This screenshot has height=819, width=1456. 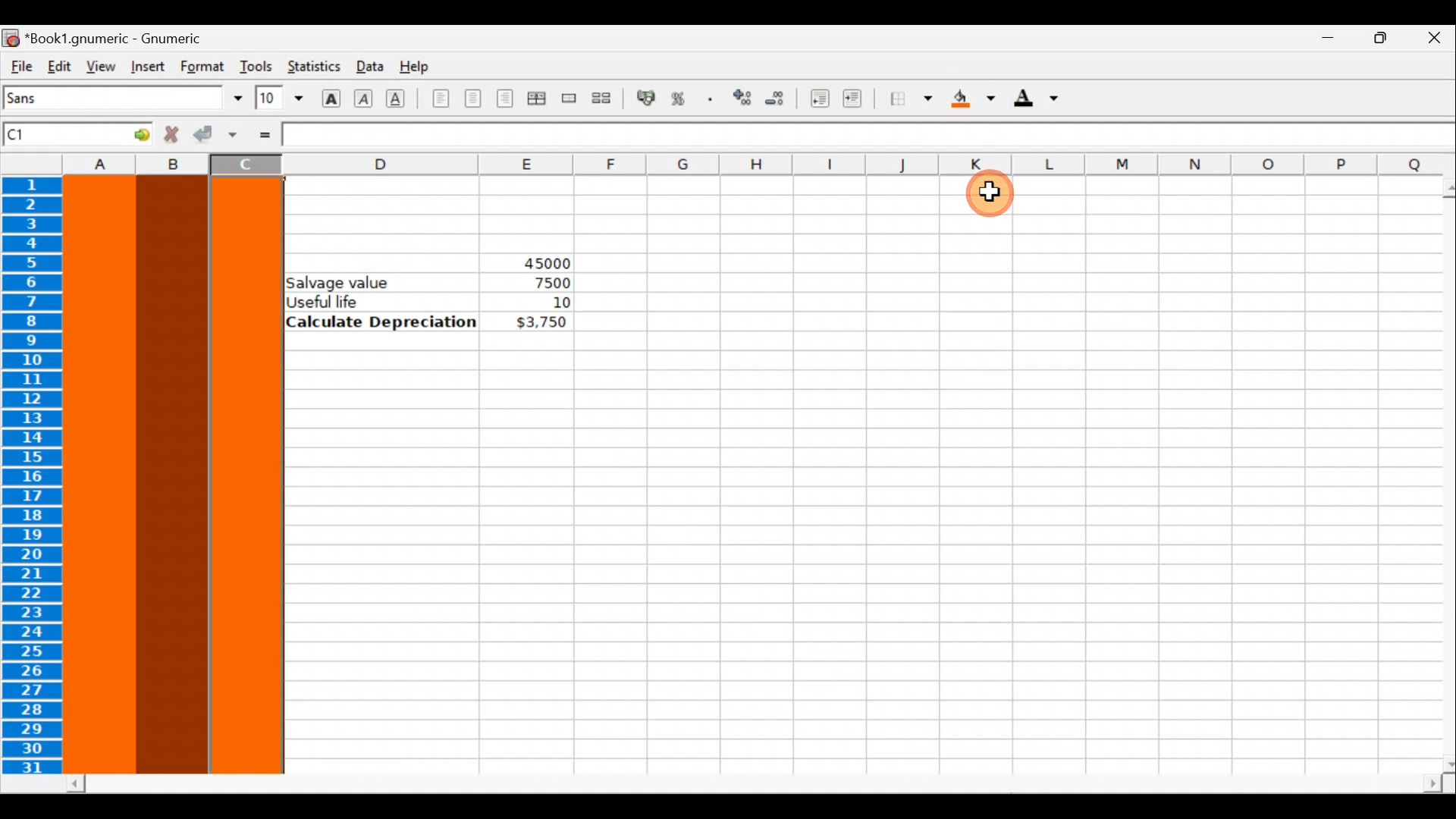 What do you see at coordinates (366, 96) in the screenshot?
I see `Italic` at bounding box center [366, 96].